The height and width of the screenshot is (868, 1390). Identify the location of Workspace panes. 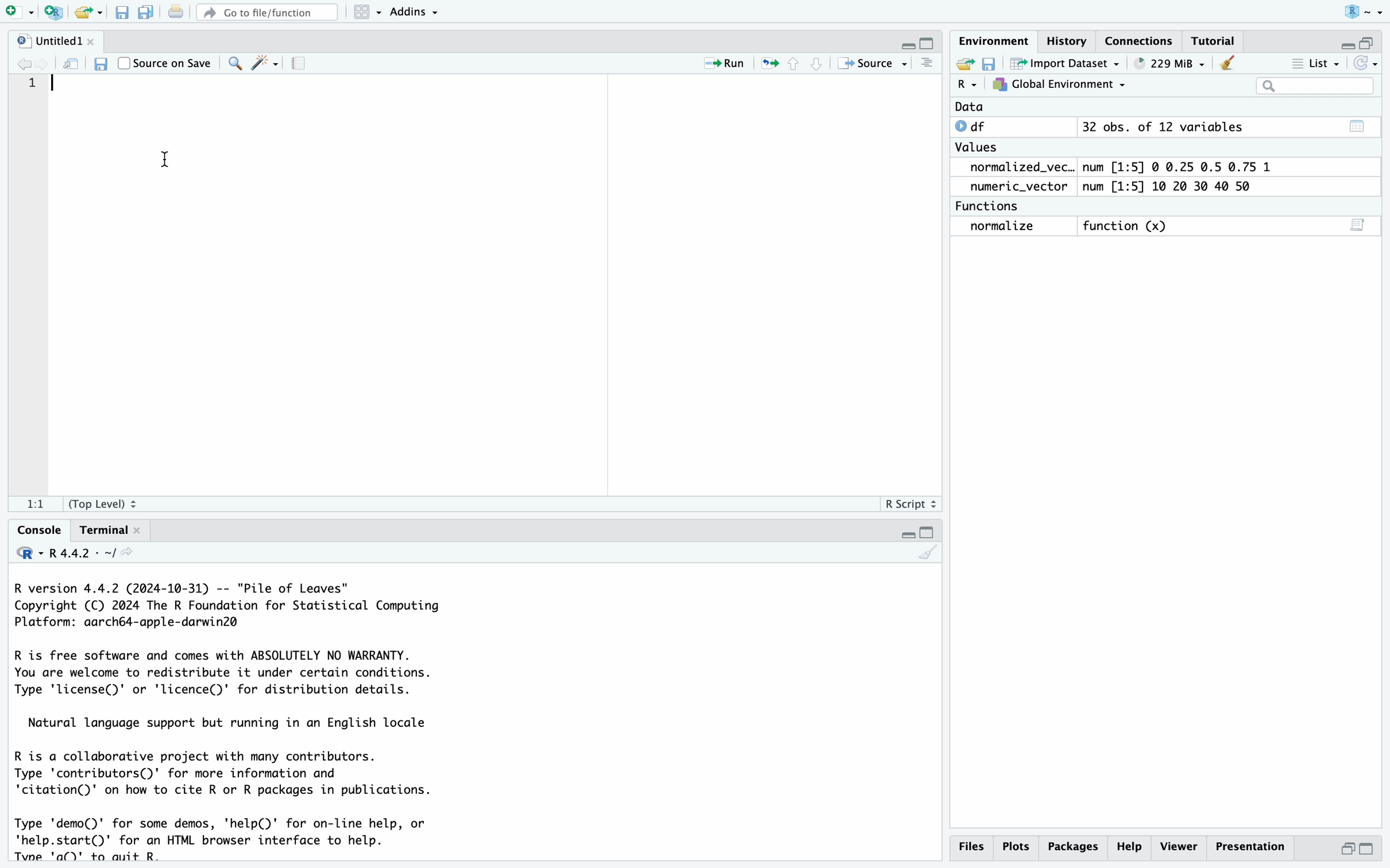
(363, 13).